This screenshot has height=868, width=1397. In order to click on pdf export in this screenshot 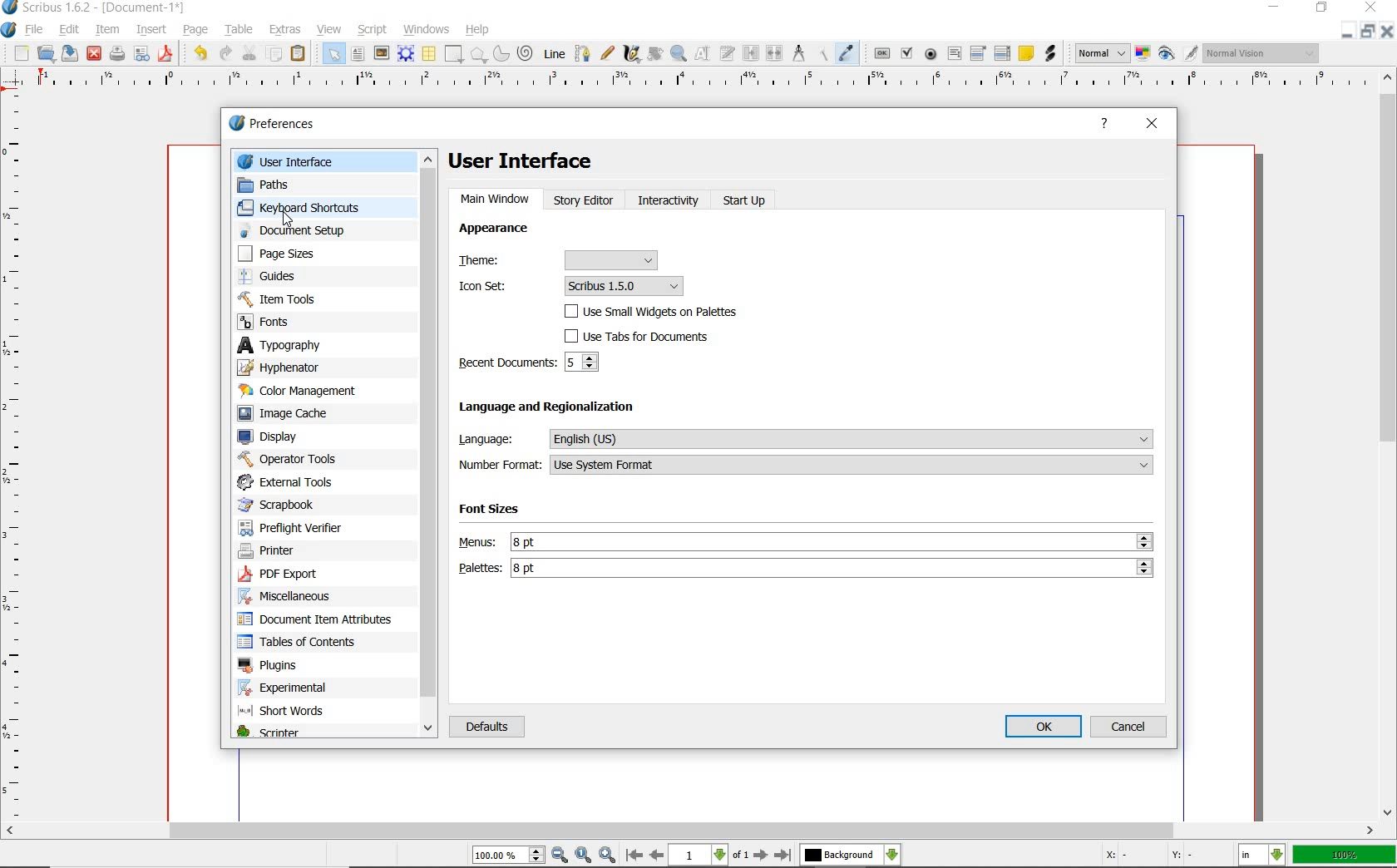, I will do `click(297, 575)`.